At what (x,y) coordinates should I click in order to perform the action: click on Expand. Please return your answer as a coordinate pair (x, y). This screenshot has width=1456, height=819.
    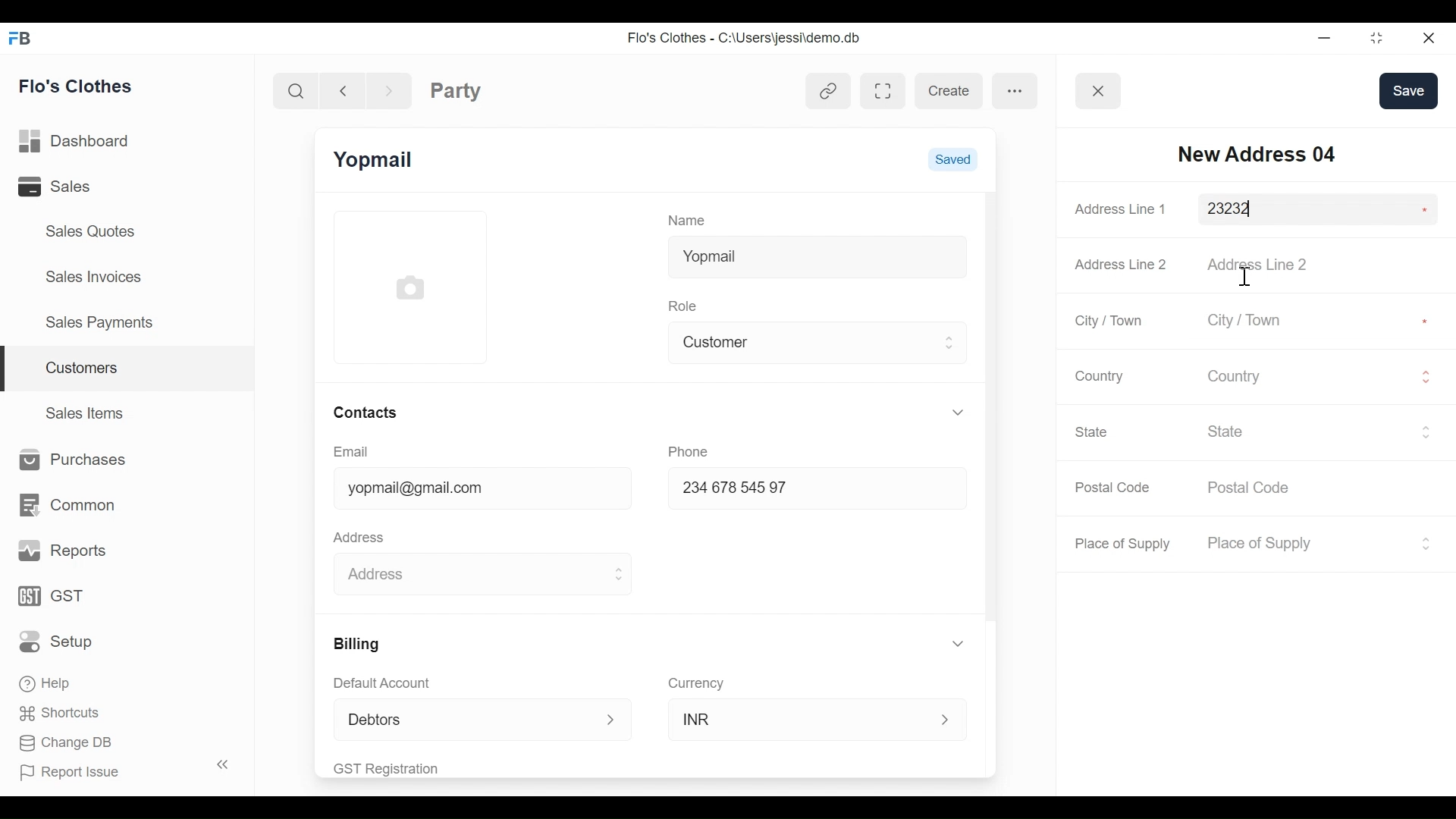
    Looking at the image, I should click on (612, 720).